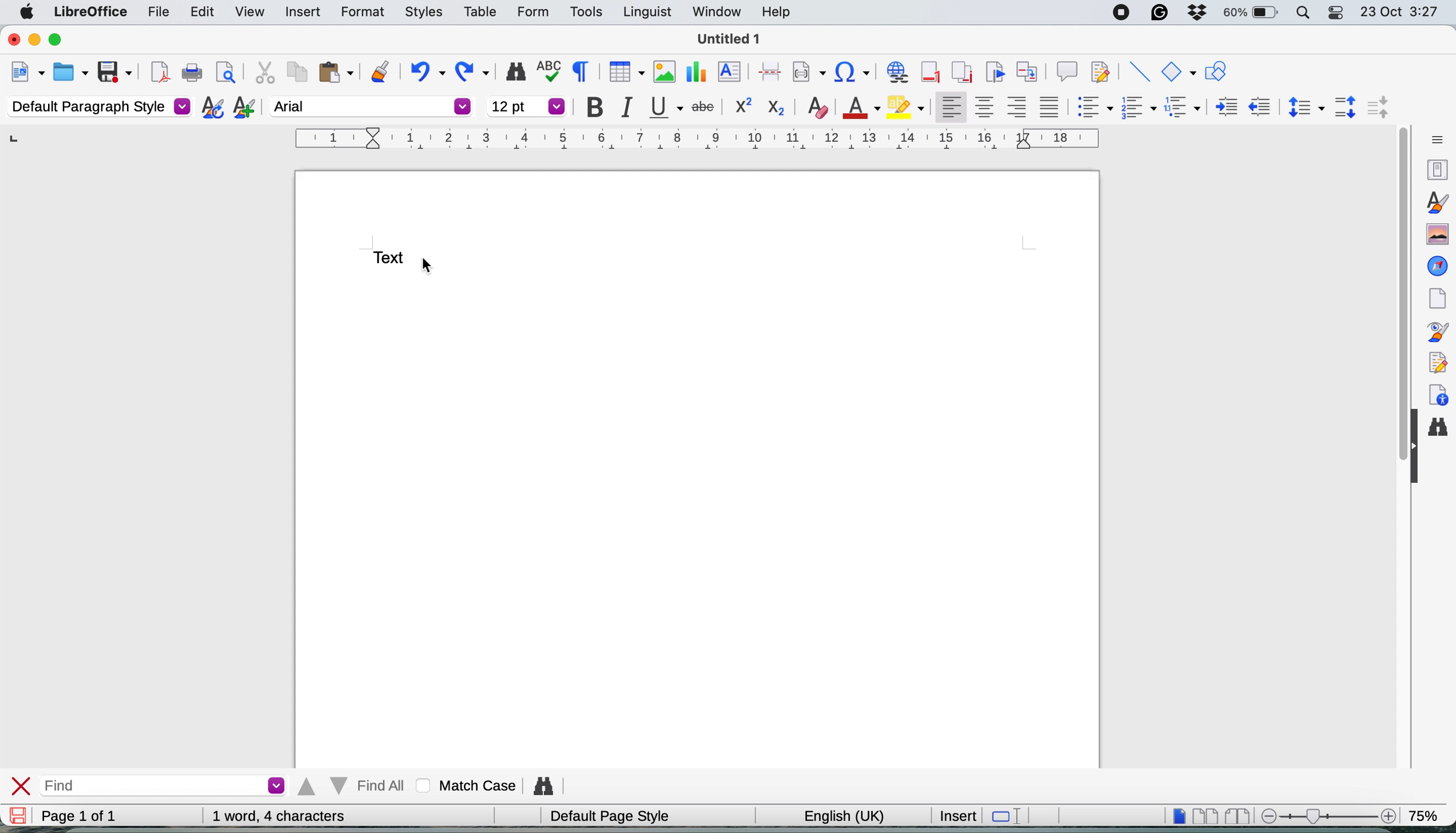 This screenshot has width=1456, height=833. Describe the element at coordinates (771, 70) in the screenshot. I see `page break` at that location.